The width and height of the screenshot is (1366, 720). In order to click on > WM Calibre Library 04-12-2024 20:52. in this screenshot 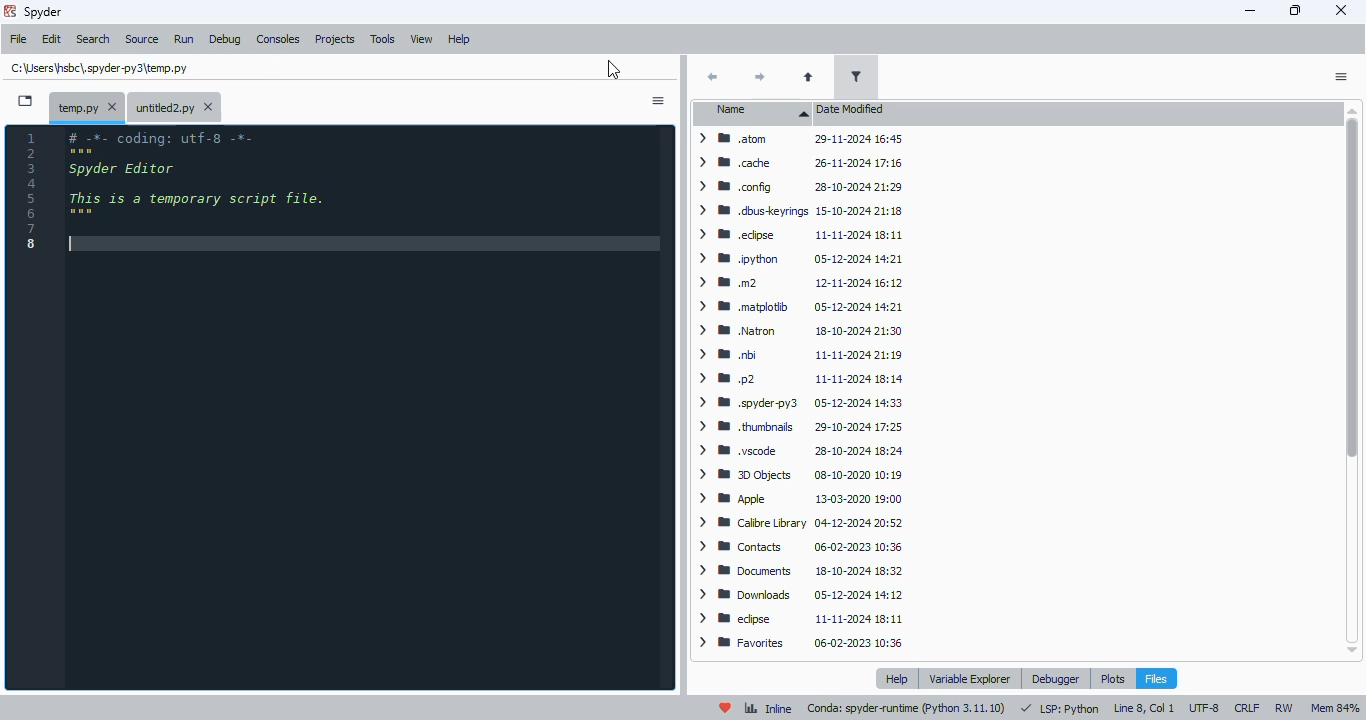, I will do `click(800, 524)`.